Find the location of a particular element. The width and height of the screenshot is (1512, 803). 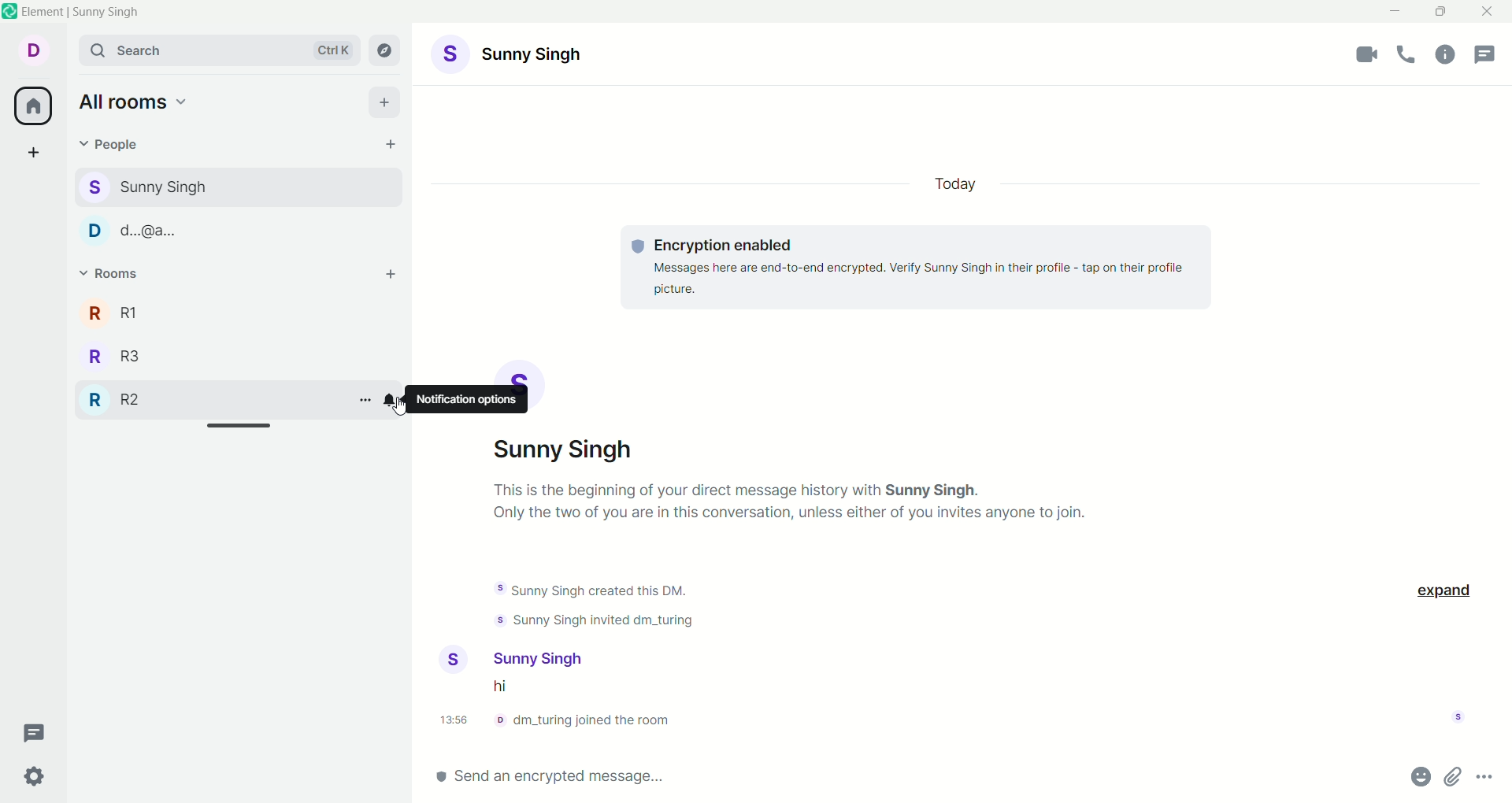

attachment is located at coordinates (1455, 776).